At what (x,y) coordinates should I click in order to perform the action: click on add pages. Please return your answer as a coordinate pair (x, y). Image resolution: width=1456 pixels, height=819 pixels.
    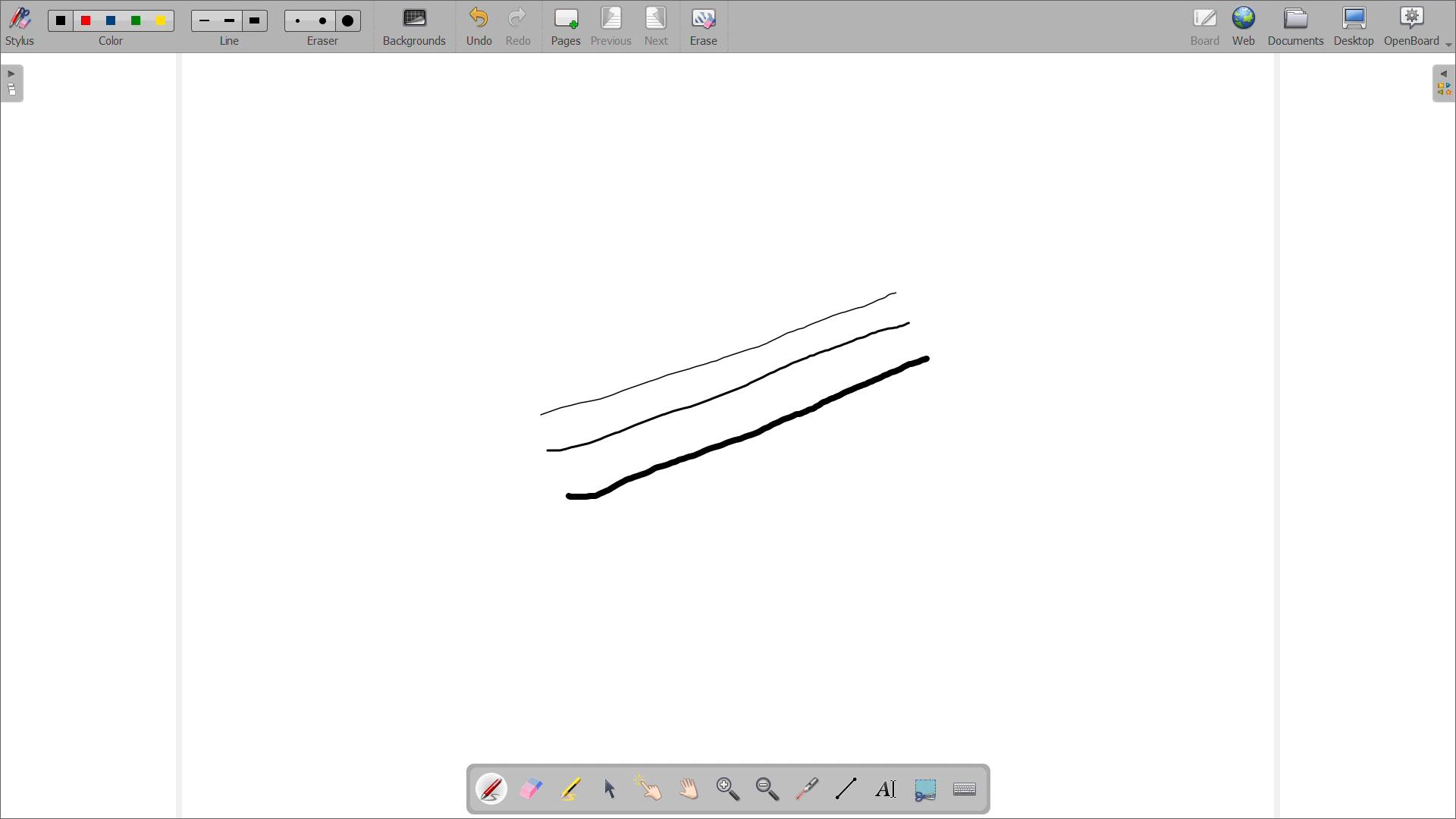
    Looking at the image, I should click on (566, 27).